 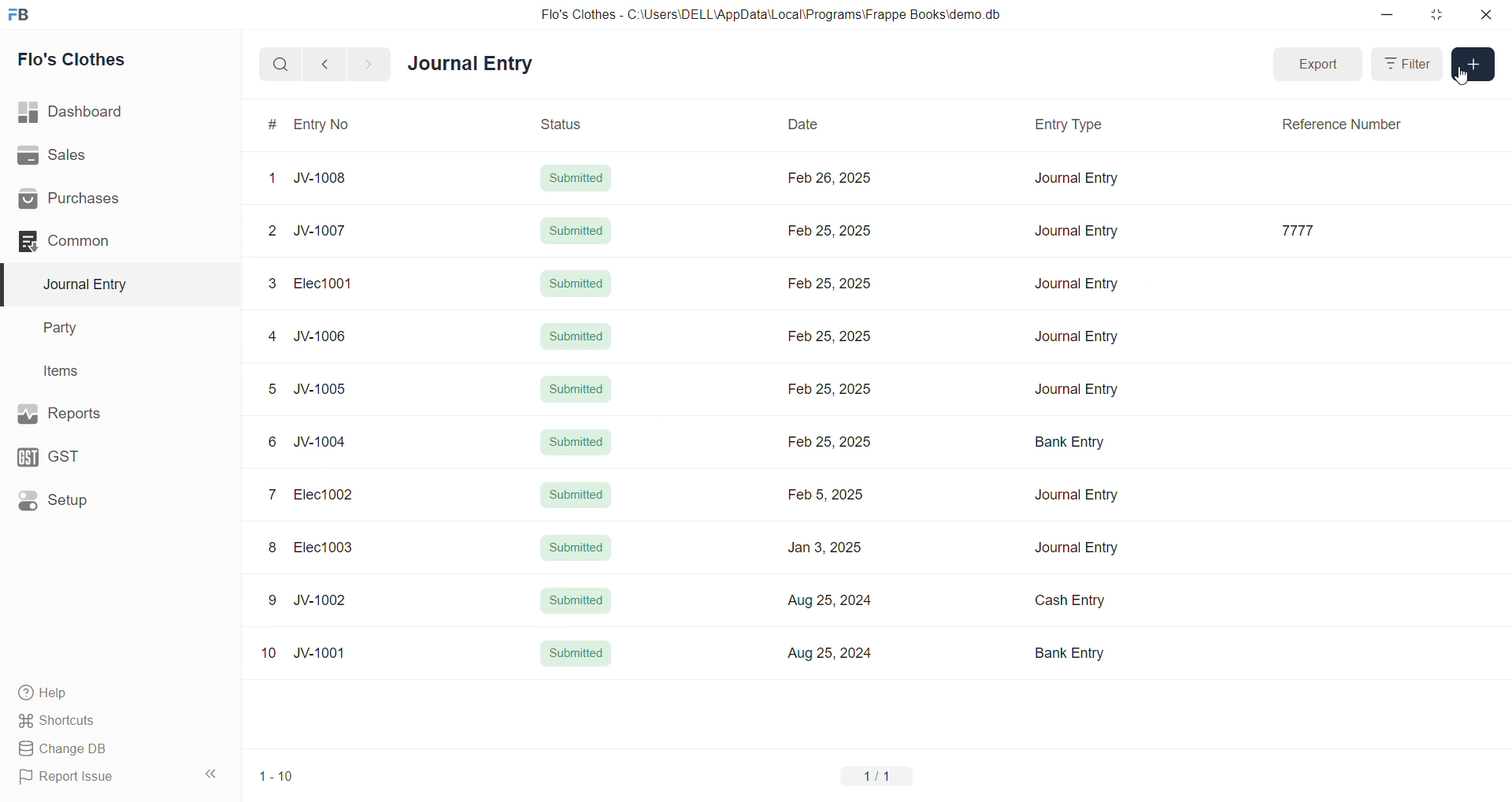 What do you see at coordinates (576, 282) in the screenshot?
I see `Submitted` at bounding box center [576, 282].